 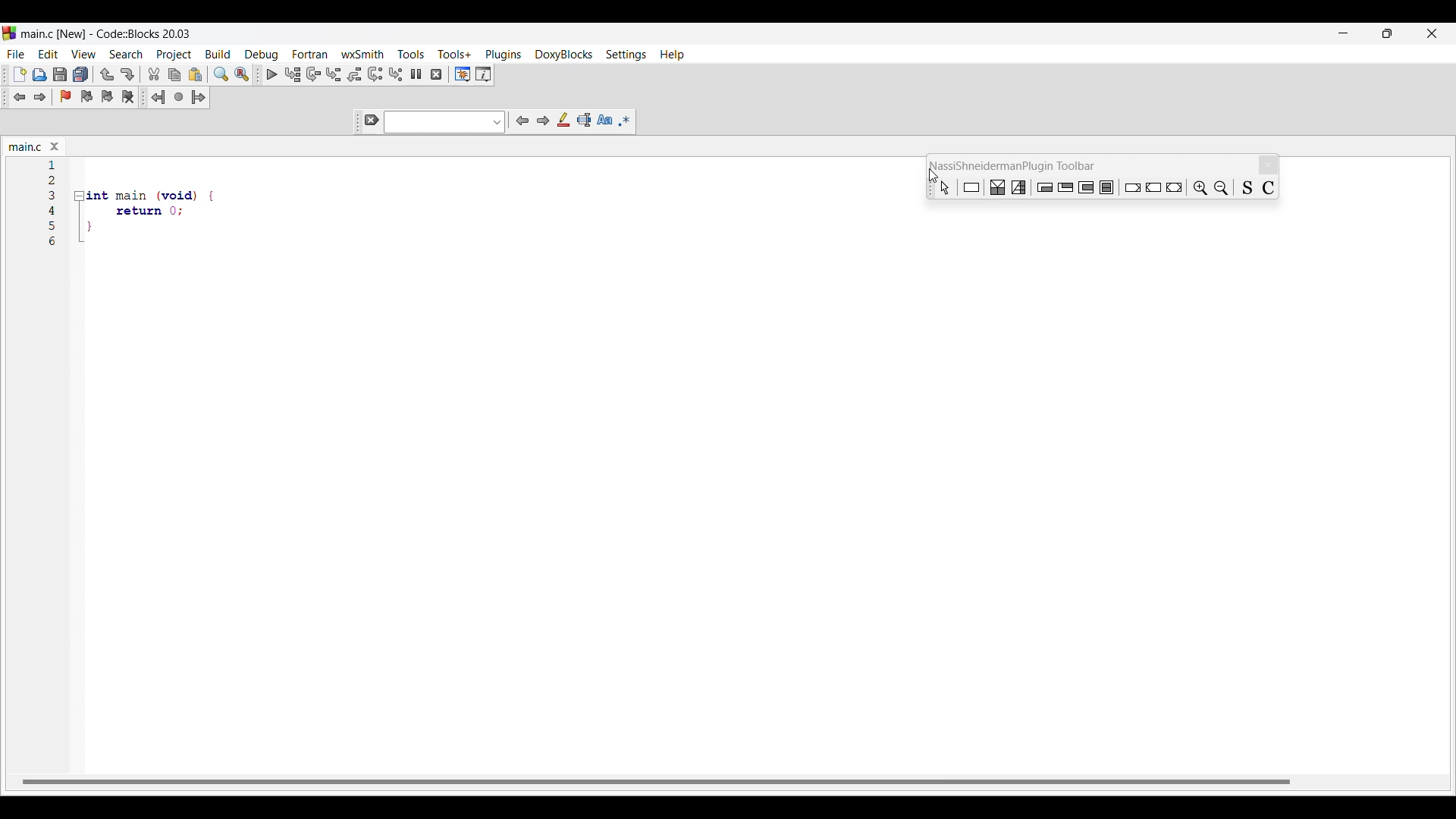 I want to click on Horizontal slide bar, so click(x=656, y=781).